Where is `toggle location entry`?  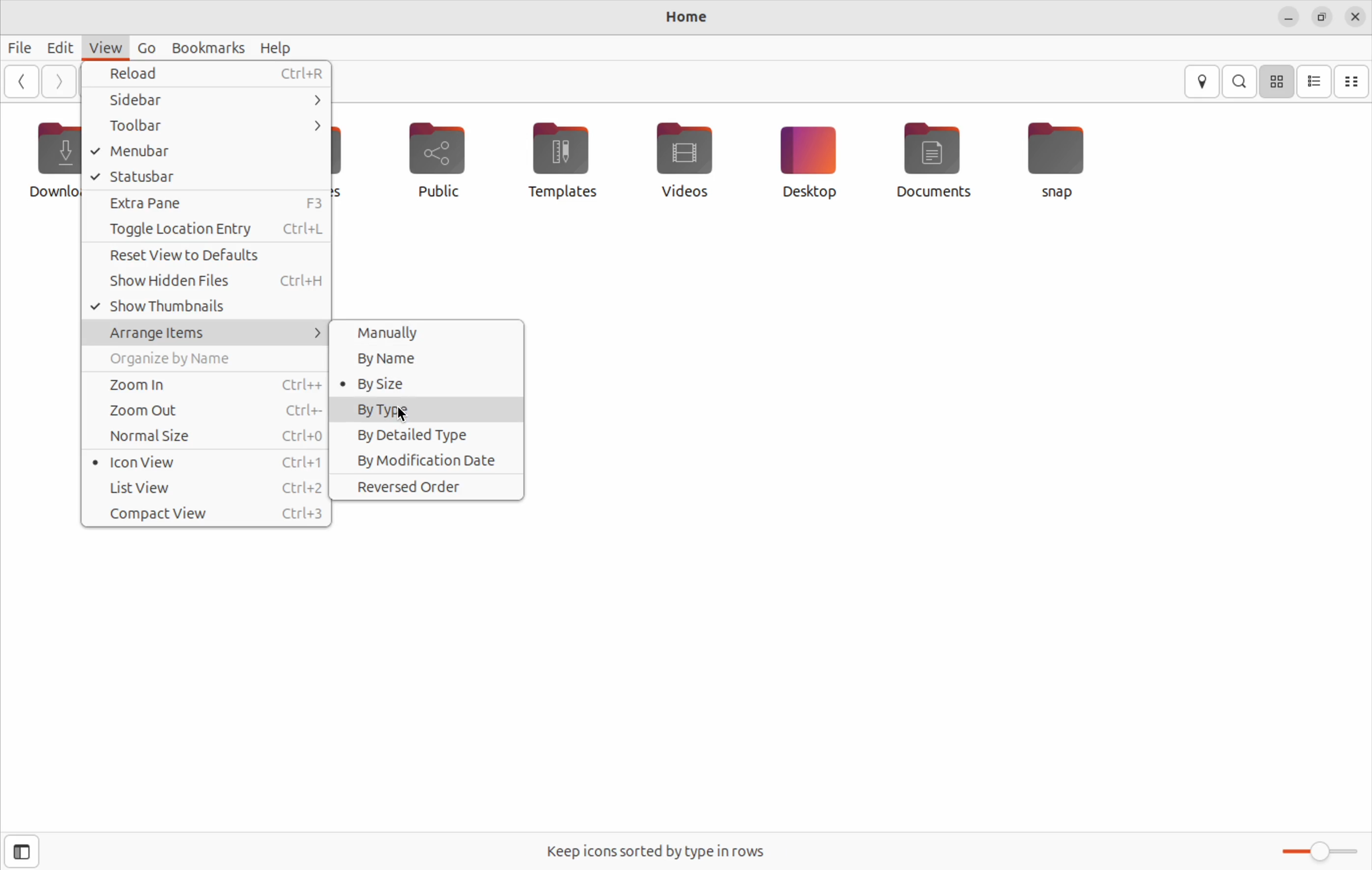 toggle location entry is located at coordinates (208, 230).